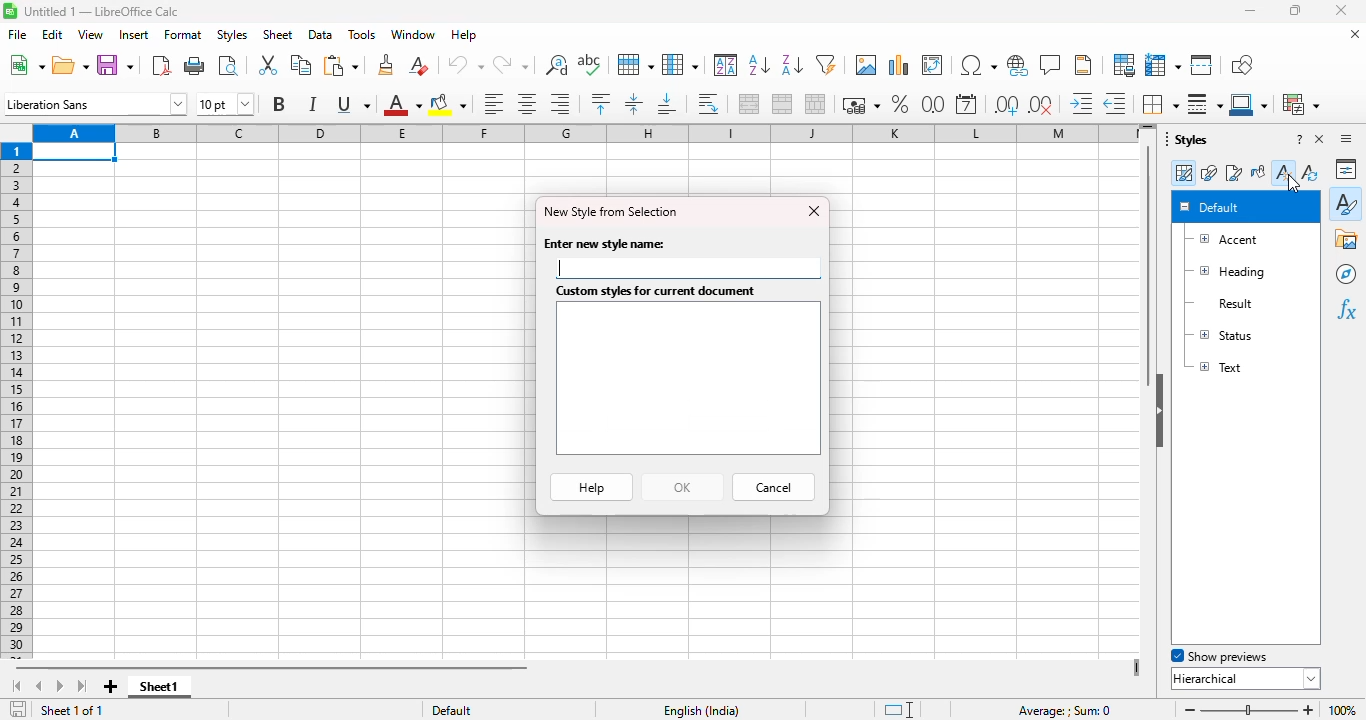  I want to click on rows, so click(17, 401).